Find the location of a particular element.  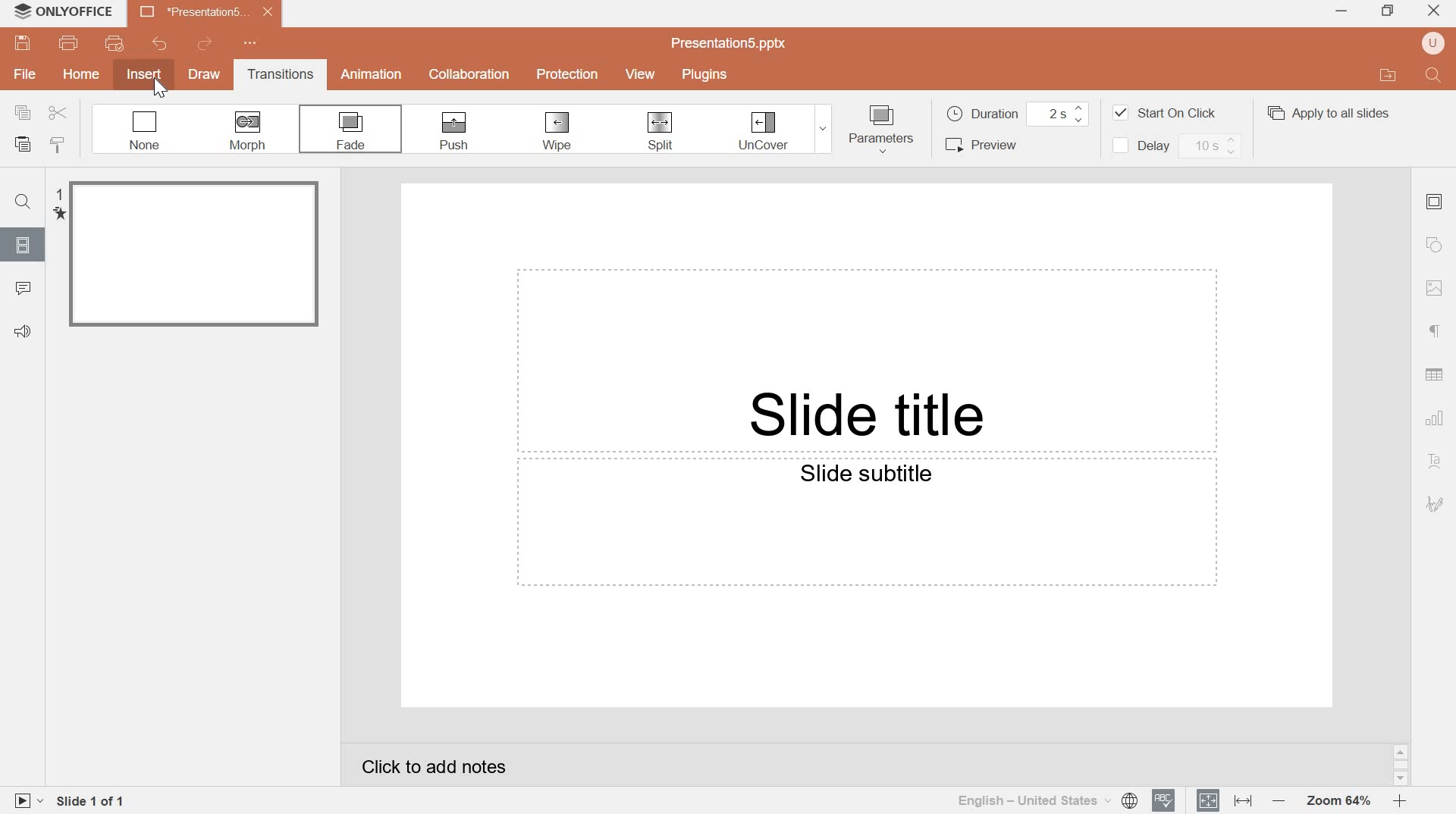

collaboration is located at coordinates (469, 75).